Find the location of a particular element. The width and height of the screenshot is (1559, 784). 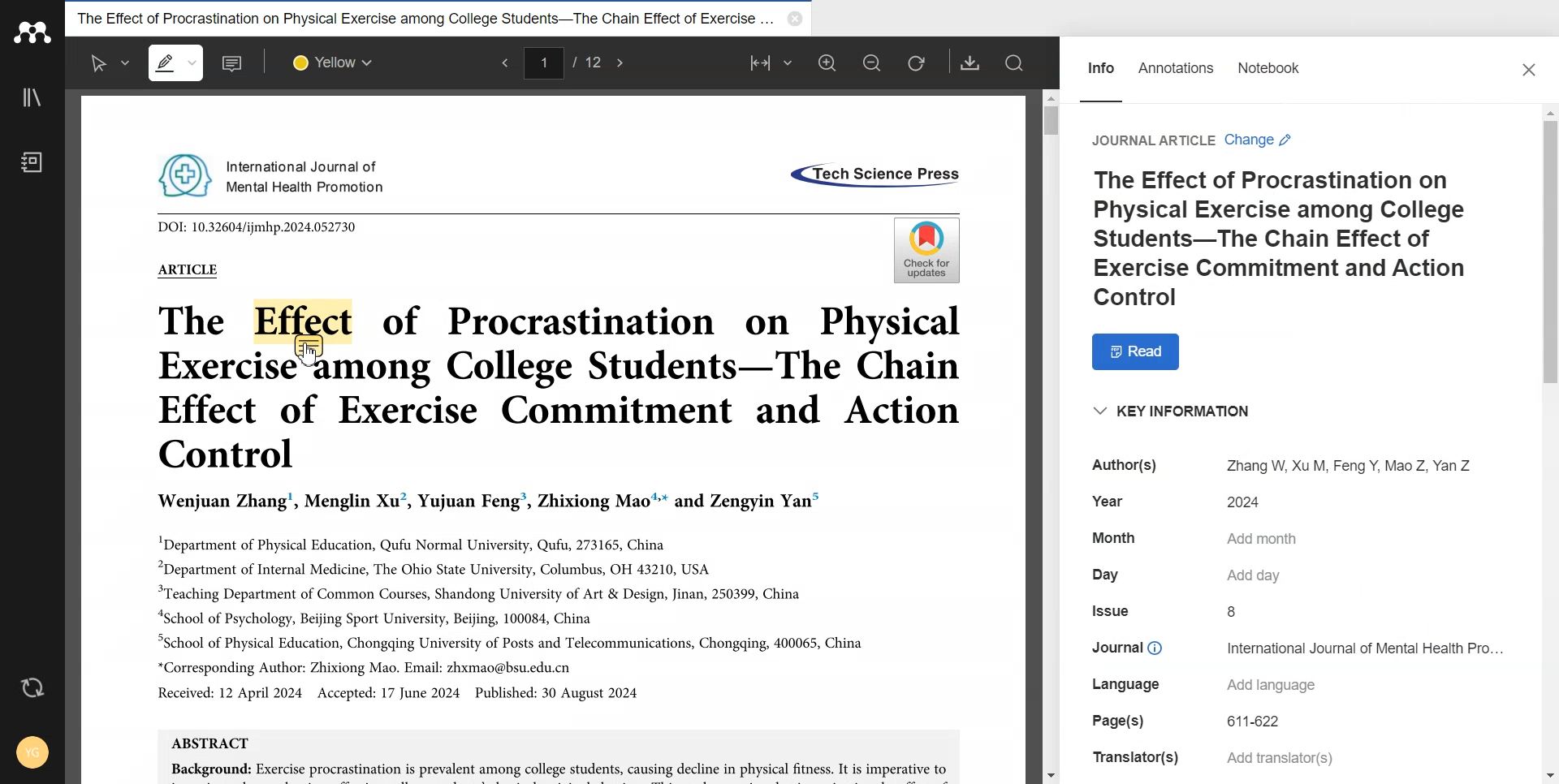

Language Add language is located at coordinates (1203, 686).